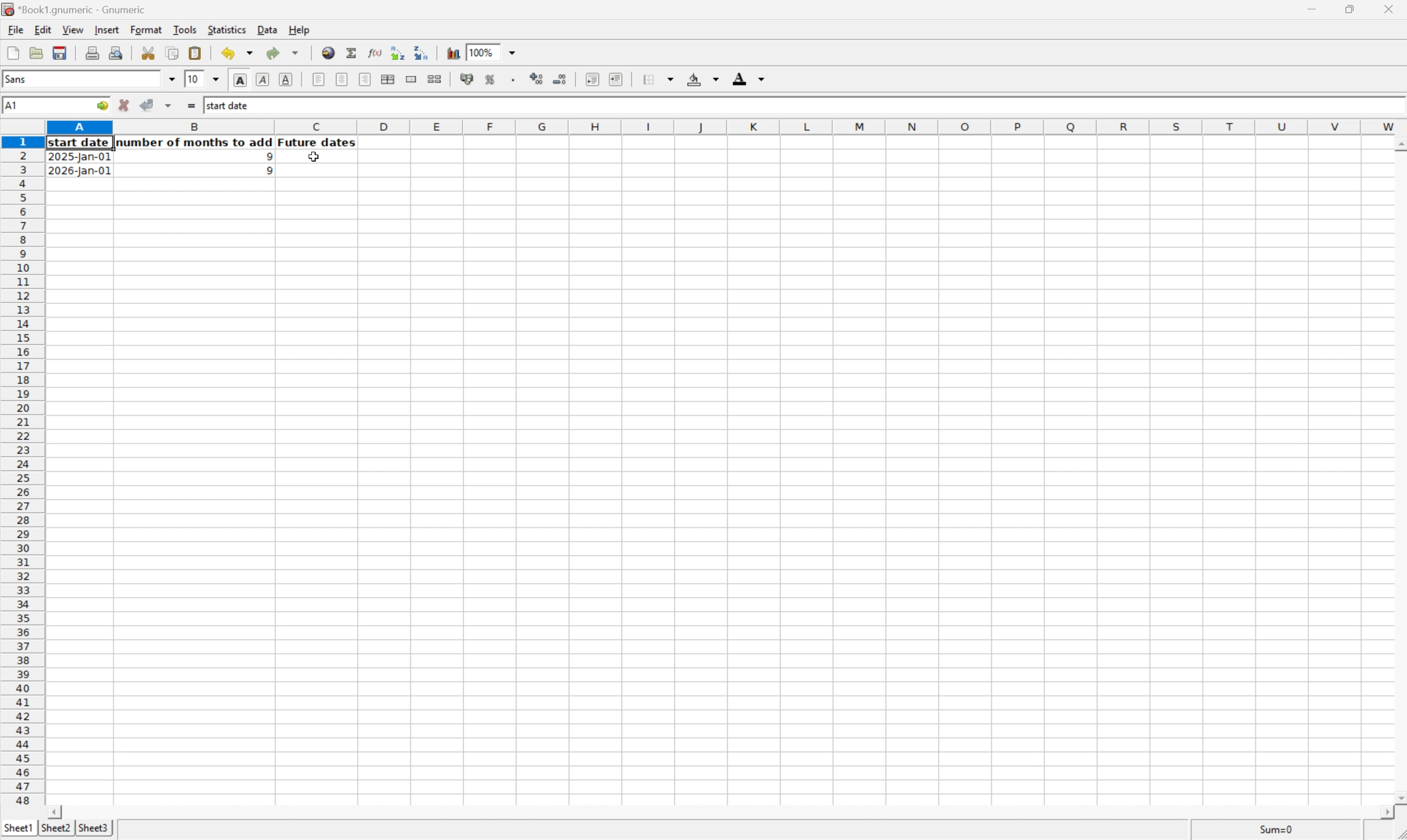 The width and height of the screenshot is (1407, 840). Describe the element at coordinates (1278, 829) in the screenshot. I see `Sum=0` at that location.